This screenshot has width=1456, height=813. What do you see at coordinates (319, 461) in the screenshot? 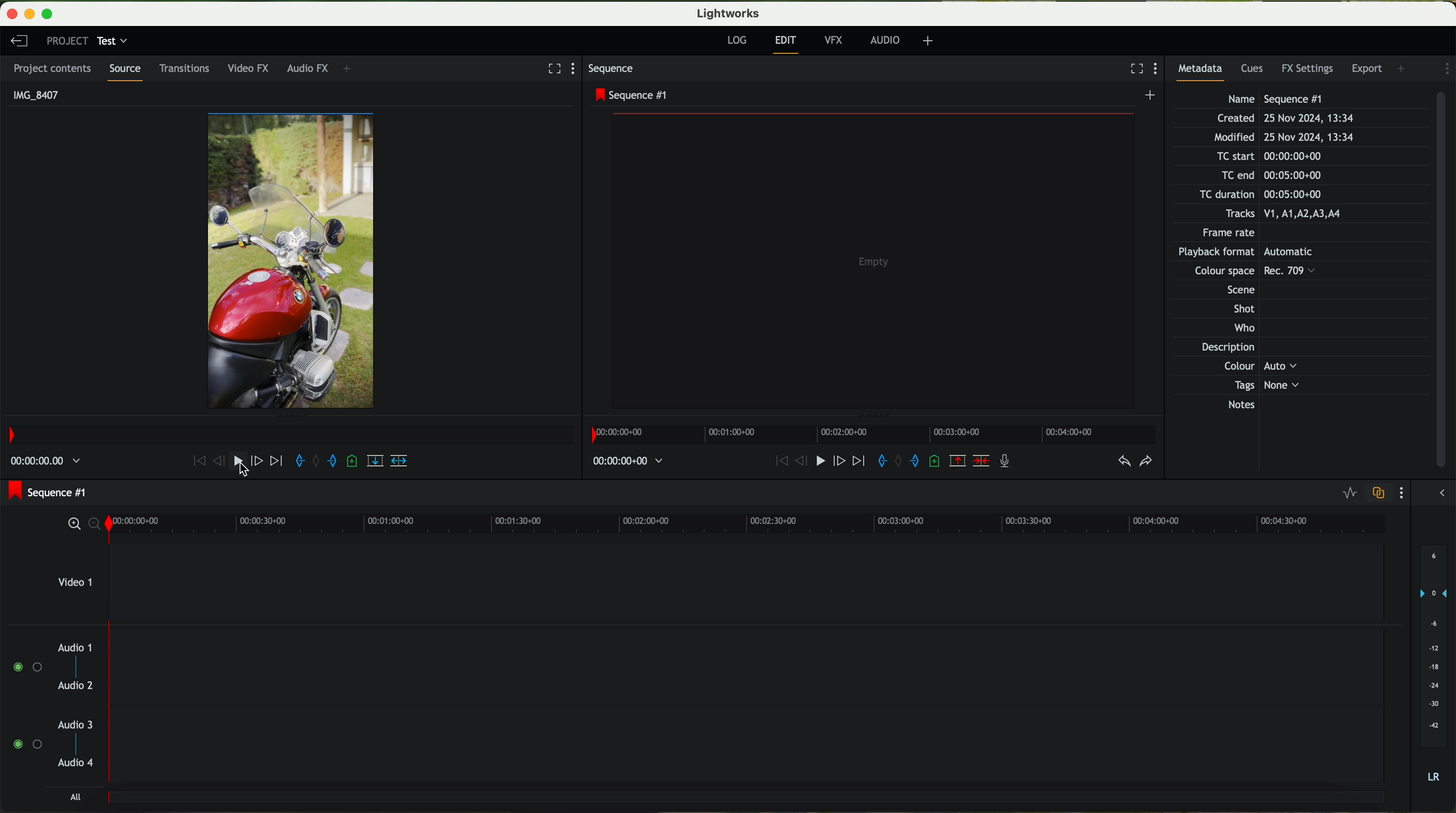
I see `clear marks` at bounding box center [319, 461].